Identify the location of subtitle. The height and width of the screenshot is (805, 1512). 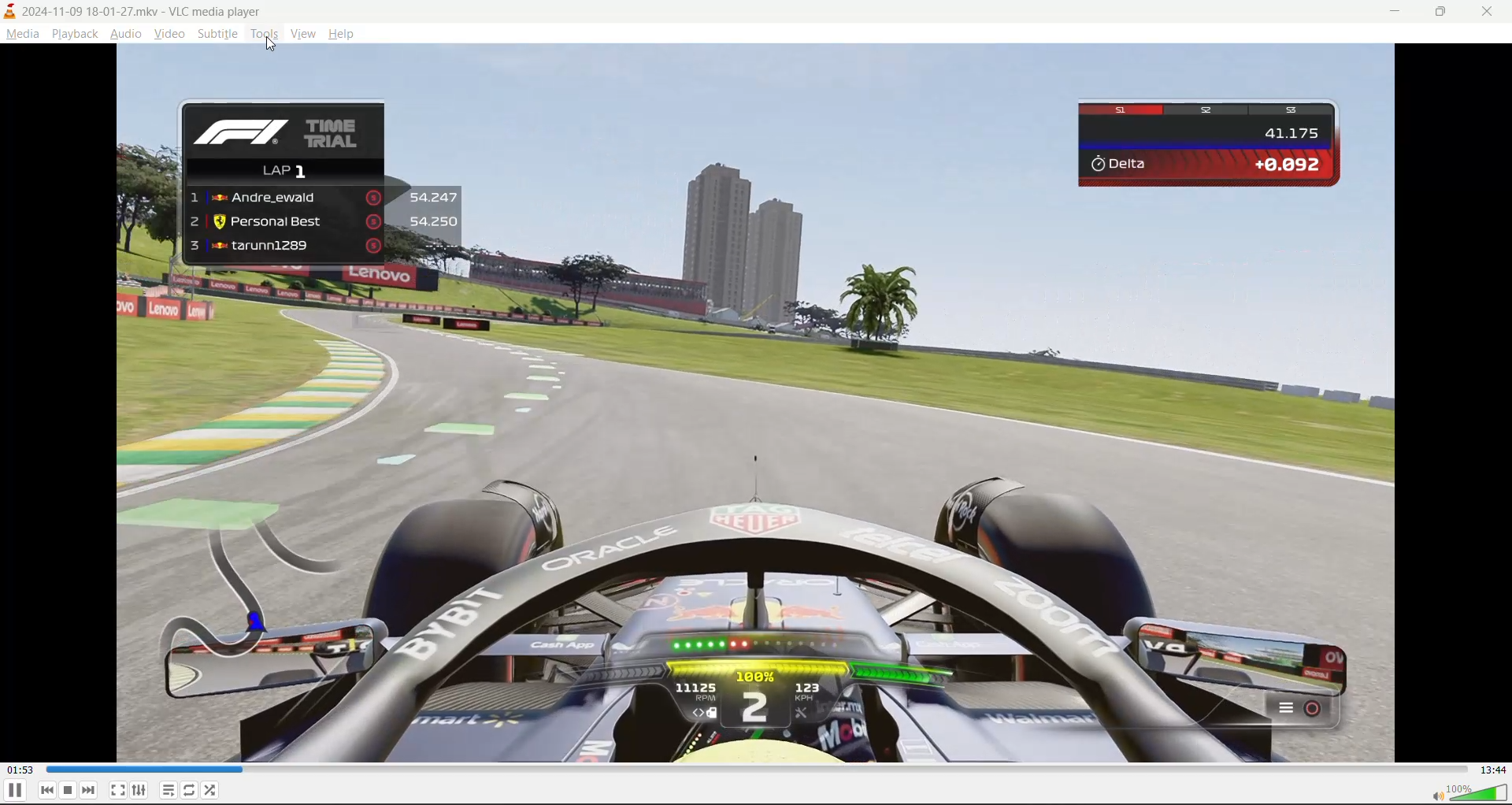
(217, 35).